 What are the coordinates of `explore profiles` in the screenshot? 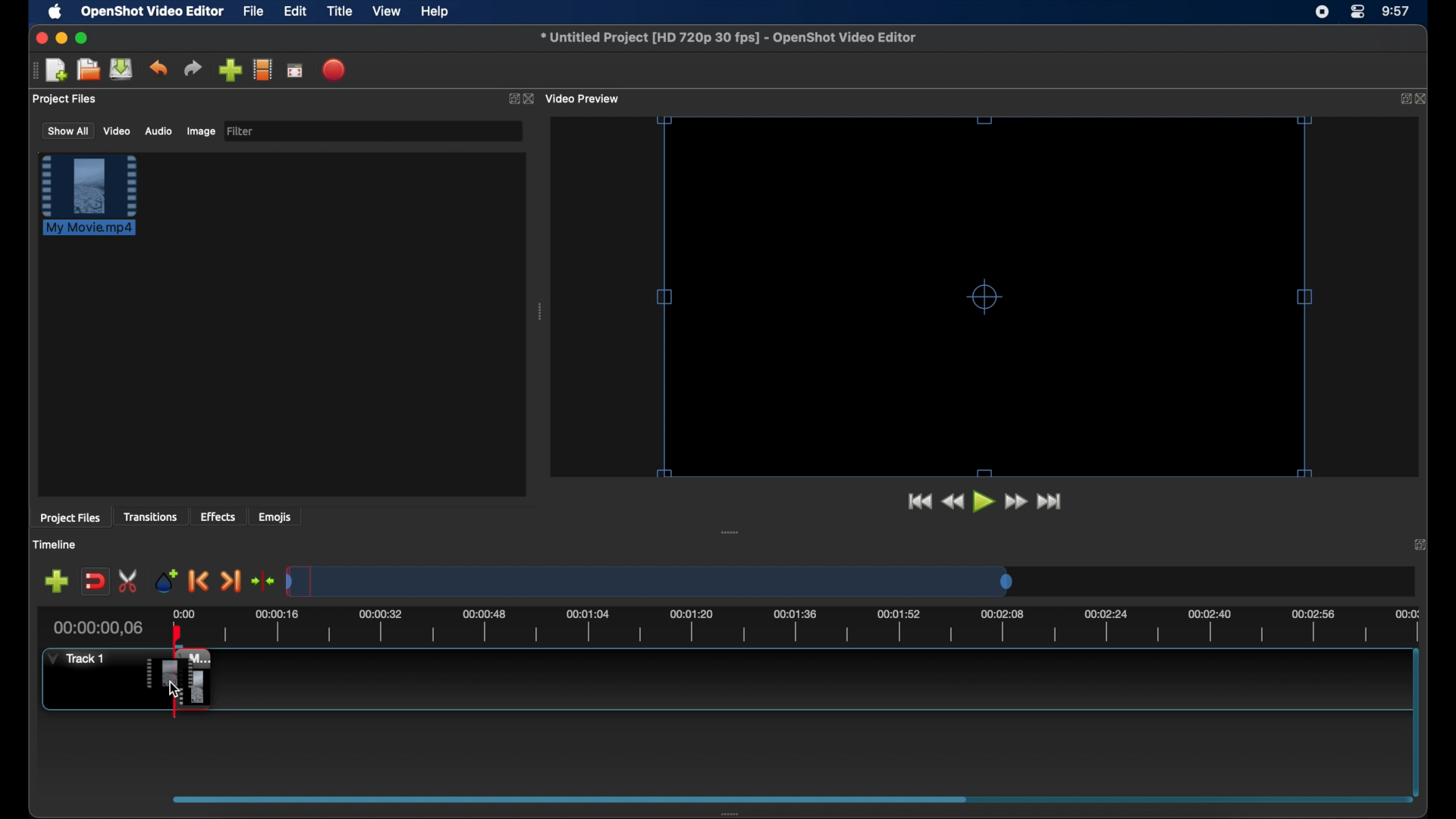 It's located at (262, 69).